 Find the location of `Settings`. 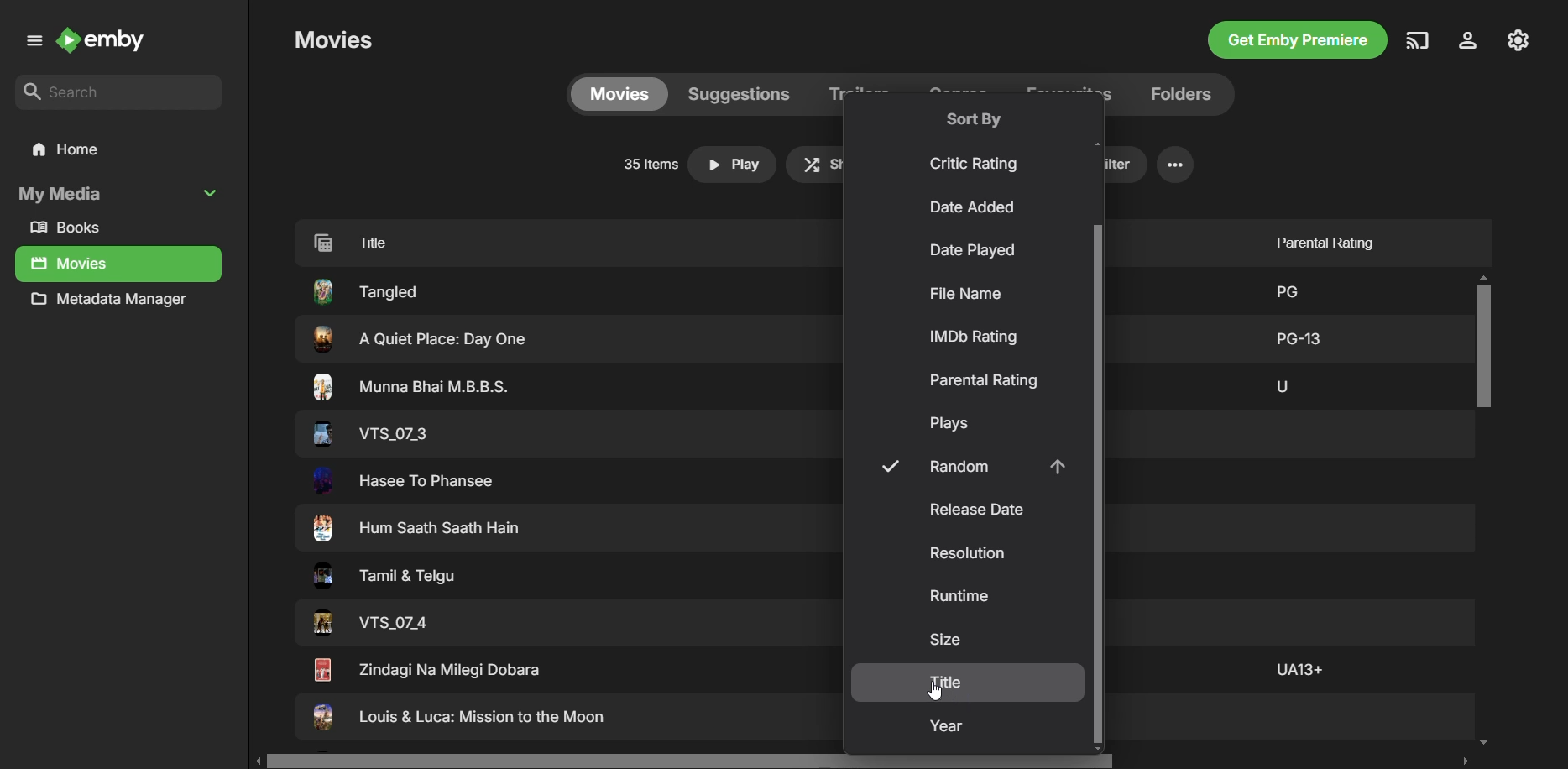

Settings is located at coordinates (1465, 42).